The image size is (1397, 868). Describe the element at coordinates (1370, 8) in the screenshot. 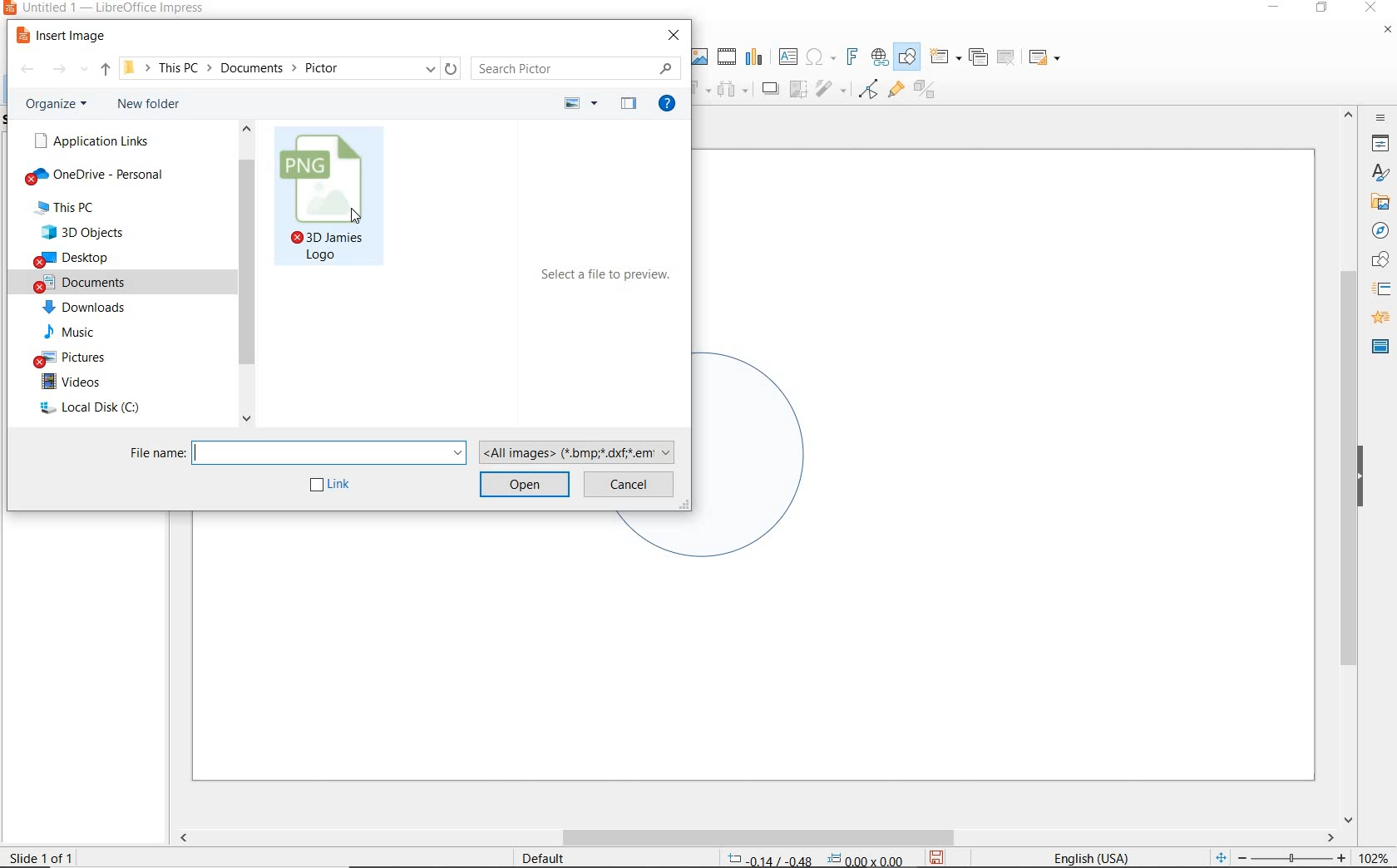

I see `close` at that location.